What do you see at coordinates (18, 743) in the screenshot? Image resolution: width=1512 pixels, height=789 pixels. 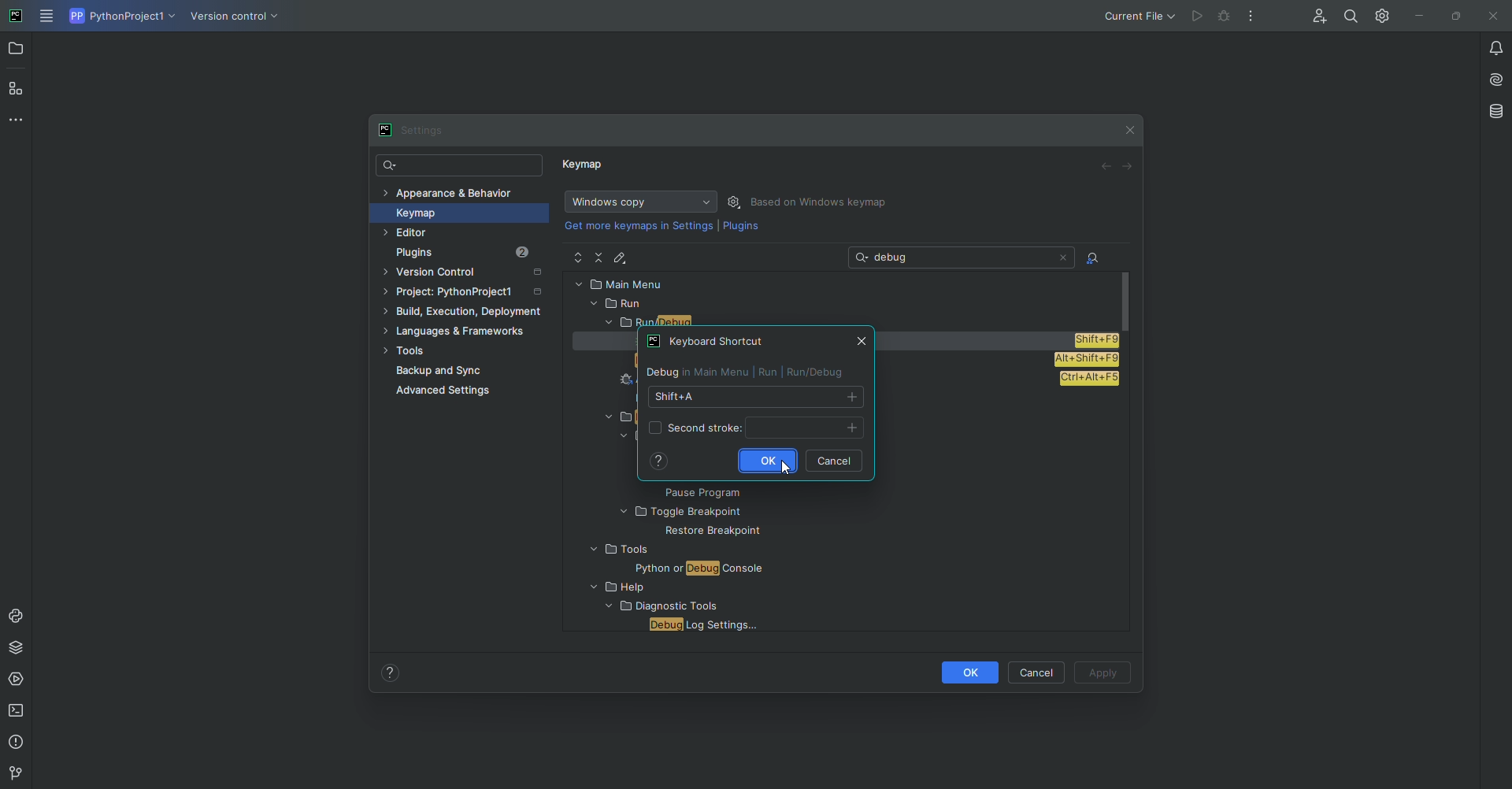 I see `Problems` at bounding box center [18, 743].